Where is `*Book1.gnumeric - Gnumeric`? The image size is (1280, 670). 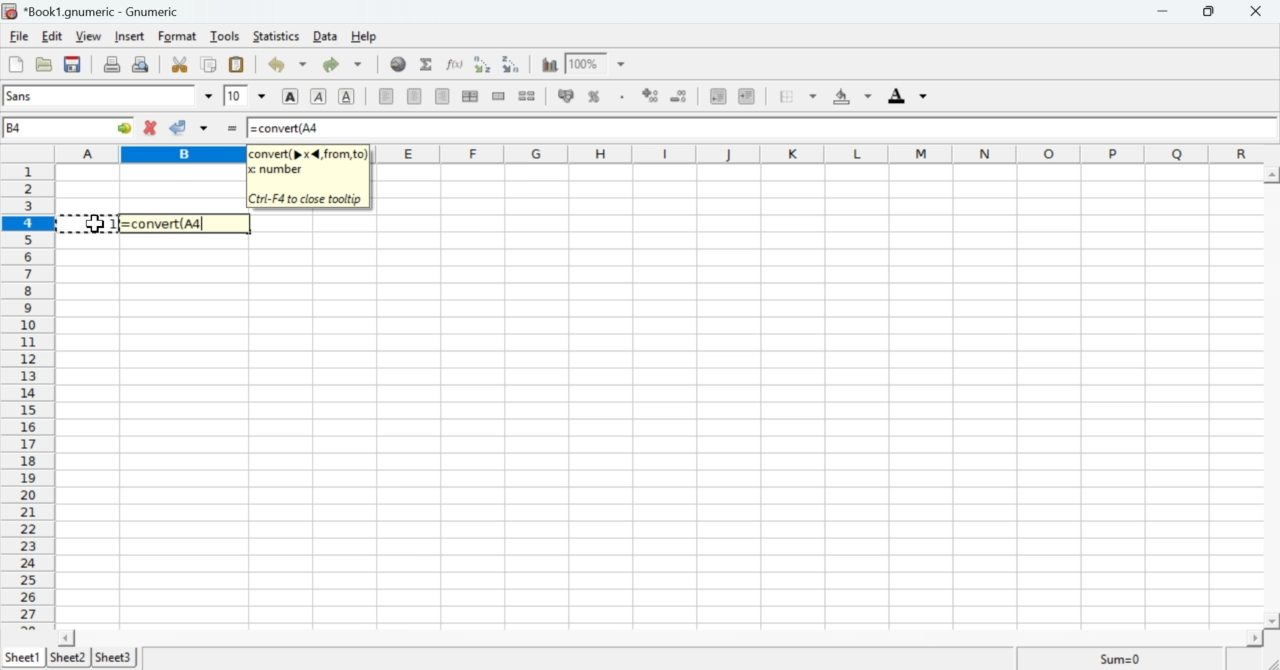 *Book1.gnumeric - Gnumeric is located at coordinates (105, 11).